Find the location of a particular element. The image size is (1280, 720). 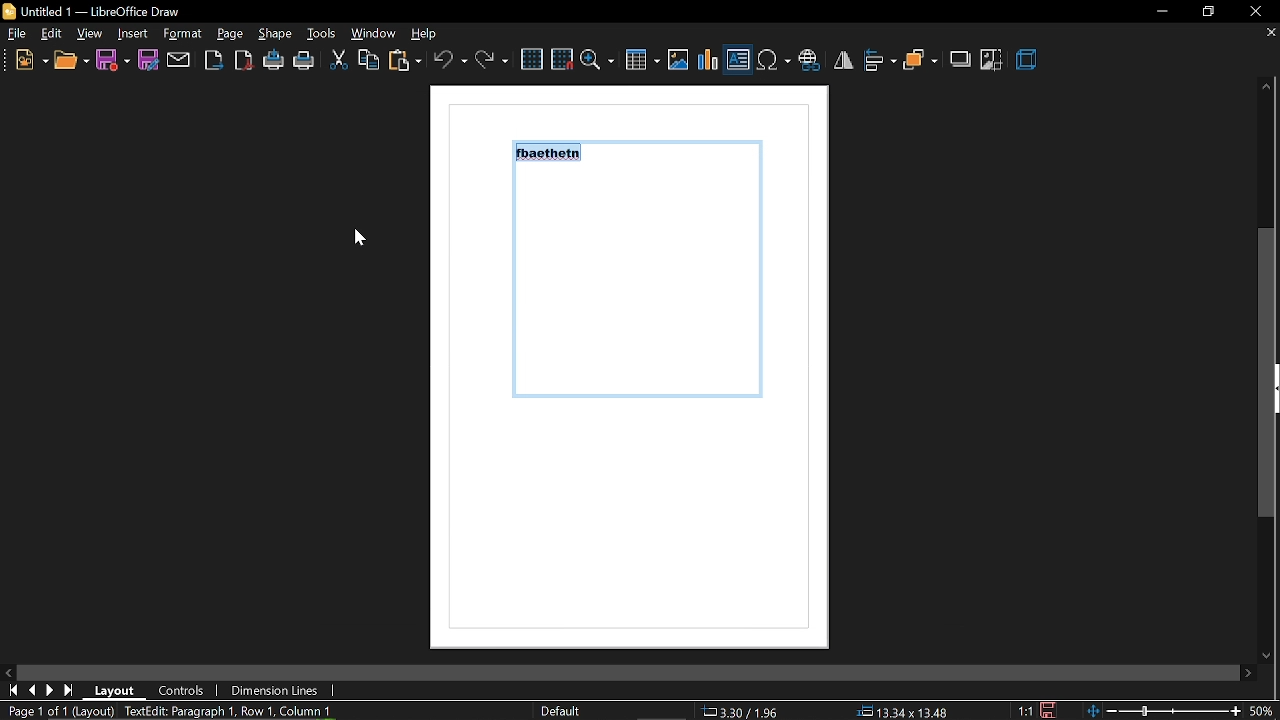

Insert symbol is located at coordinates (773, 60).